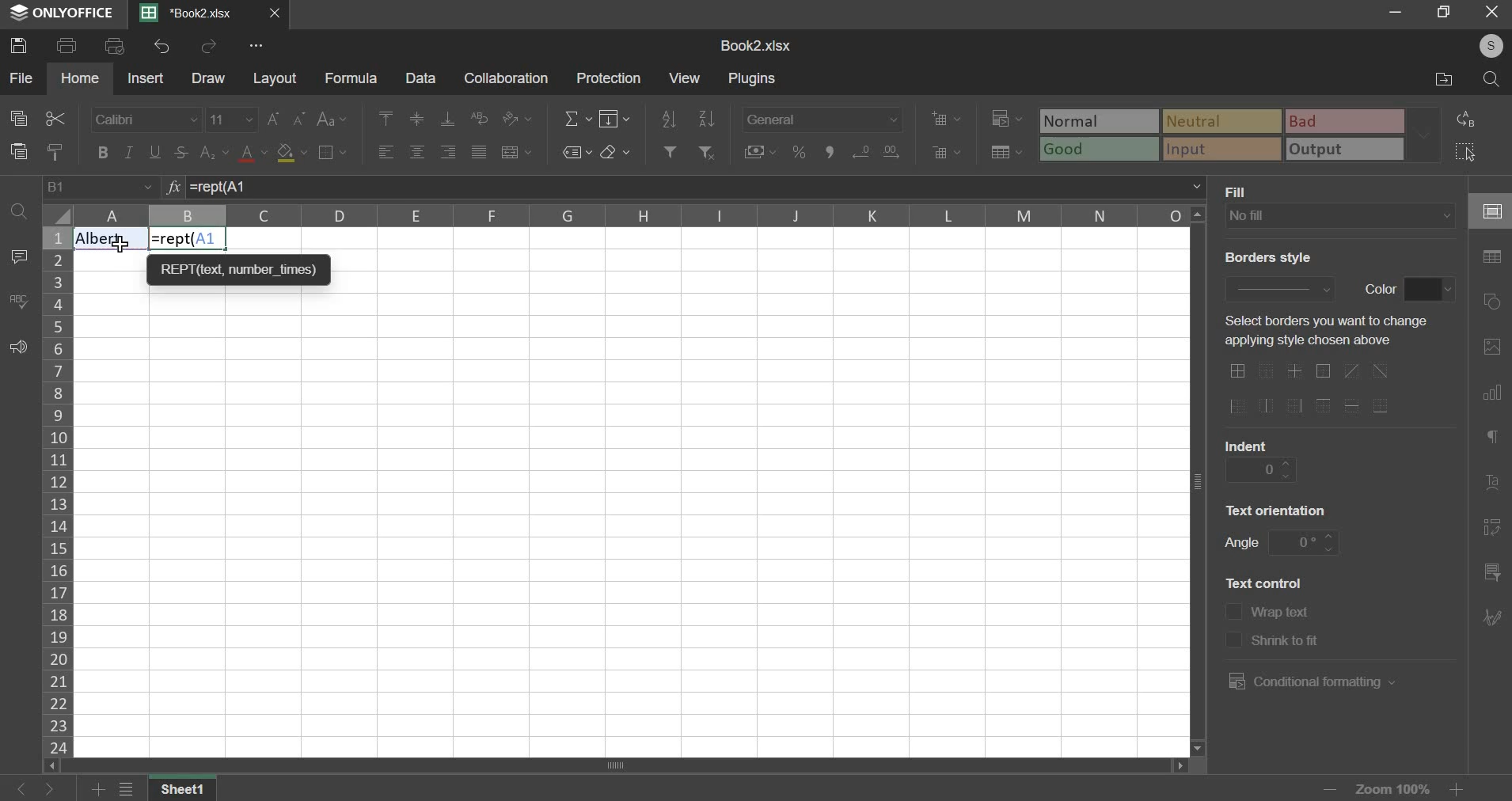 The width and height of the screenshot is (1512, 801). I want to click on fill color, so click(292, 153).